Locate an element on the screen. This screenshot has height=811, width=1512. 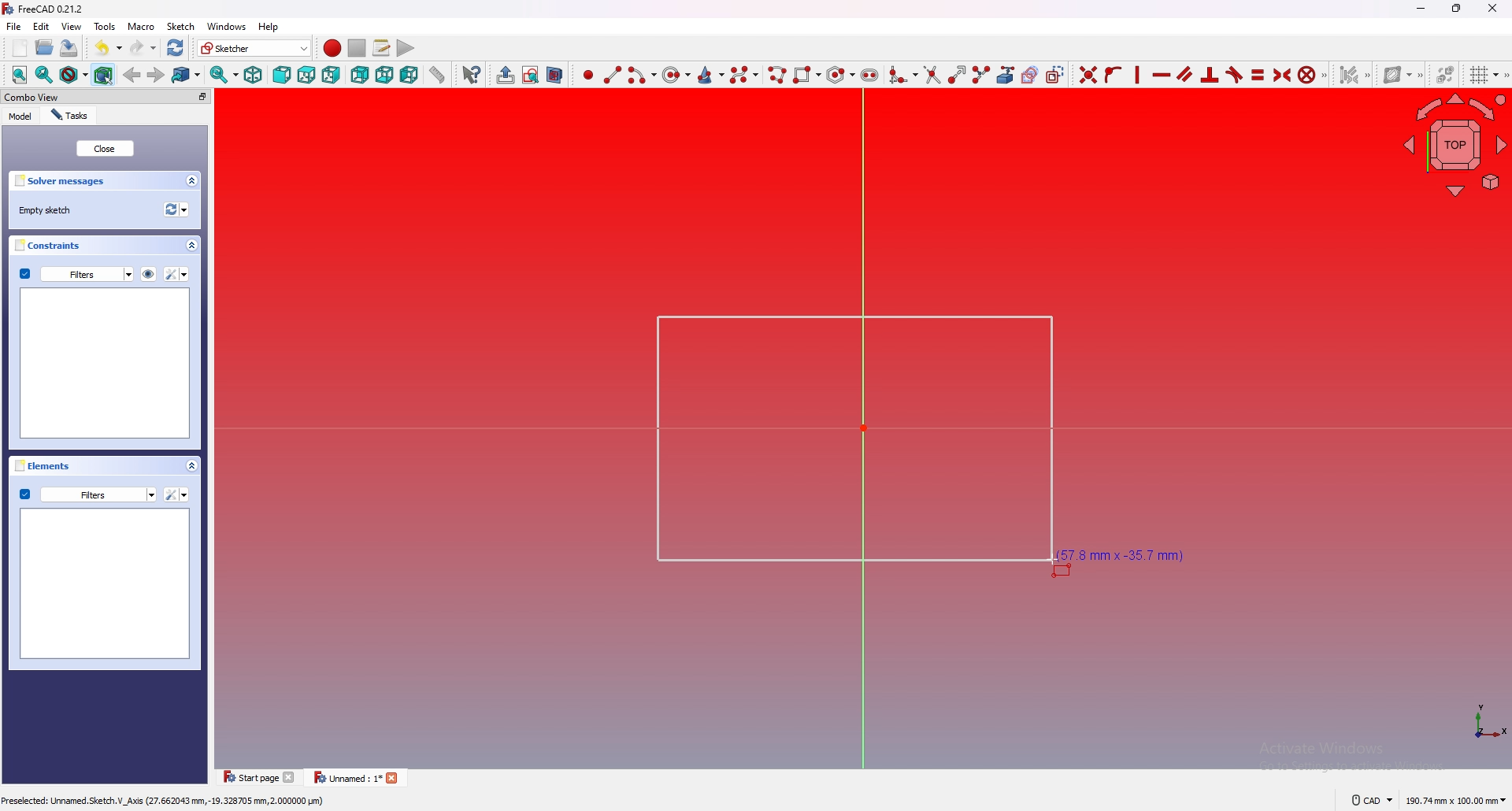
top is located at coordinates (306, 75).